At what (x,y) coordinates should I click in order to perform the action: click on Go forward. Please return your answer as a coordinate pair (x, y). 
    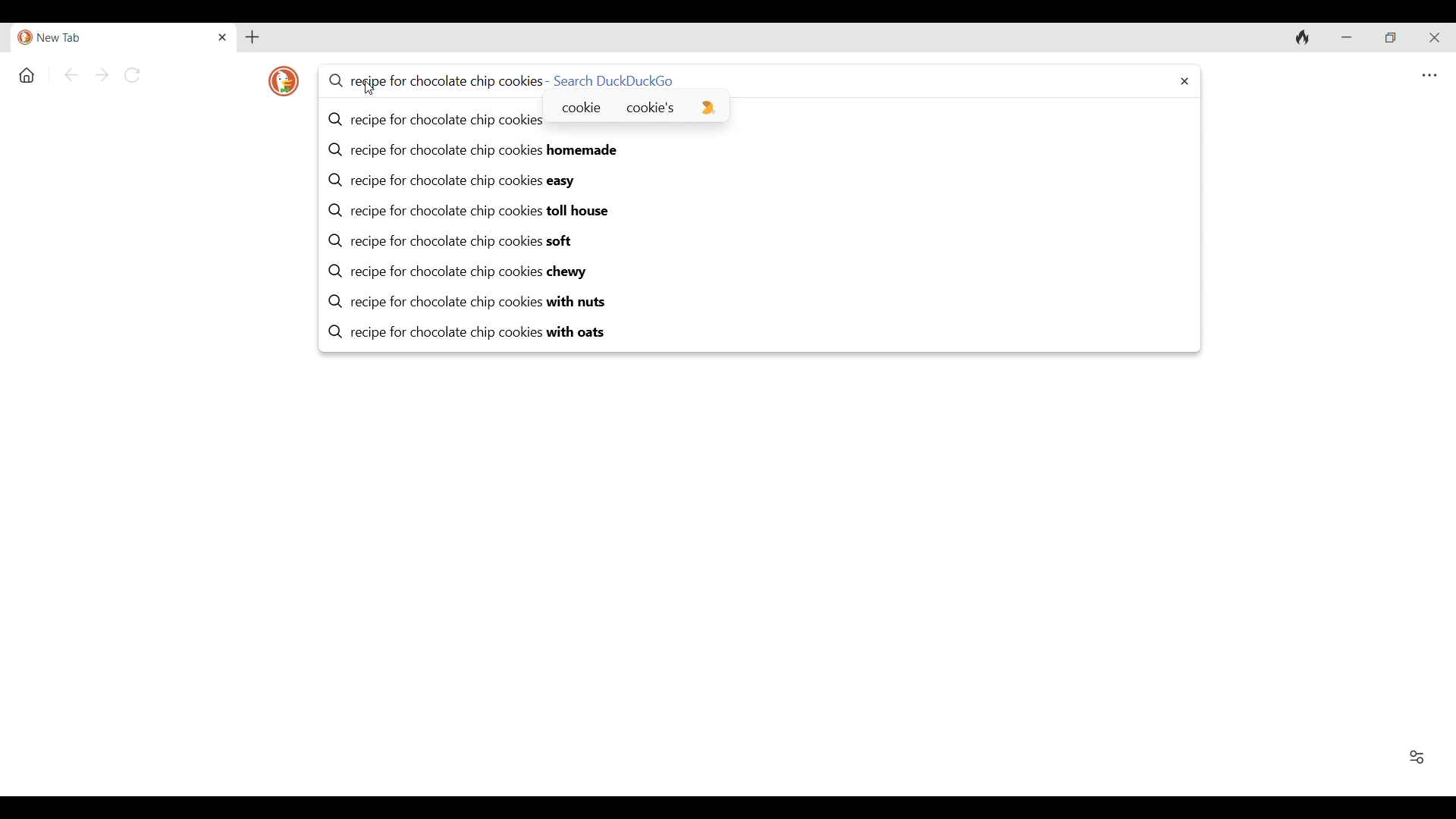
    Looking at the image, I should click on (102, 75).